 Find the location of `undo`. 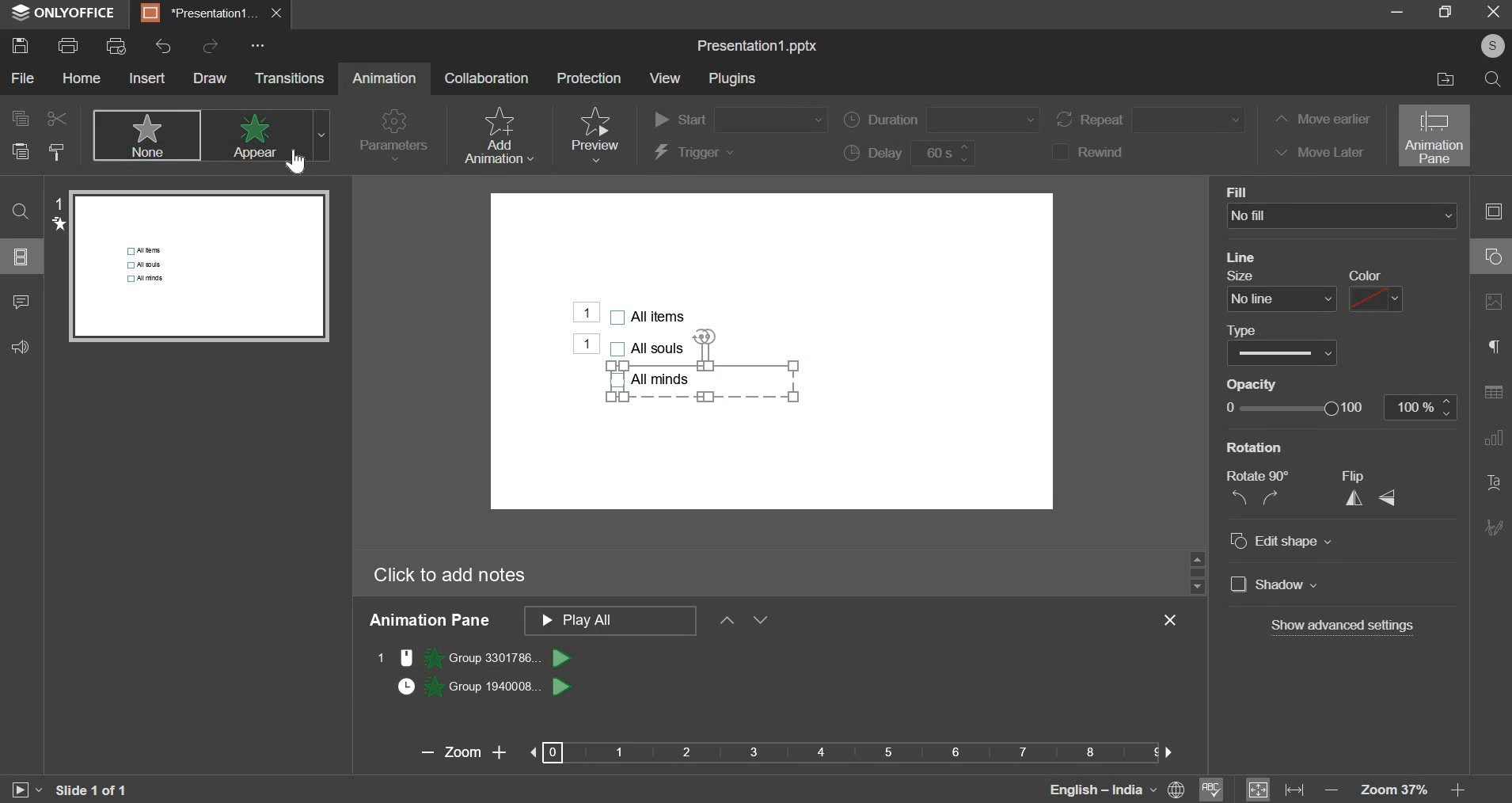

undo is located at coordinates (163, 47).